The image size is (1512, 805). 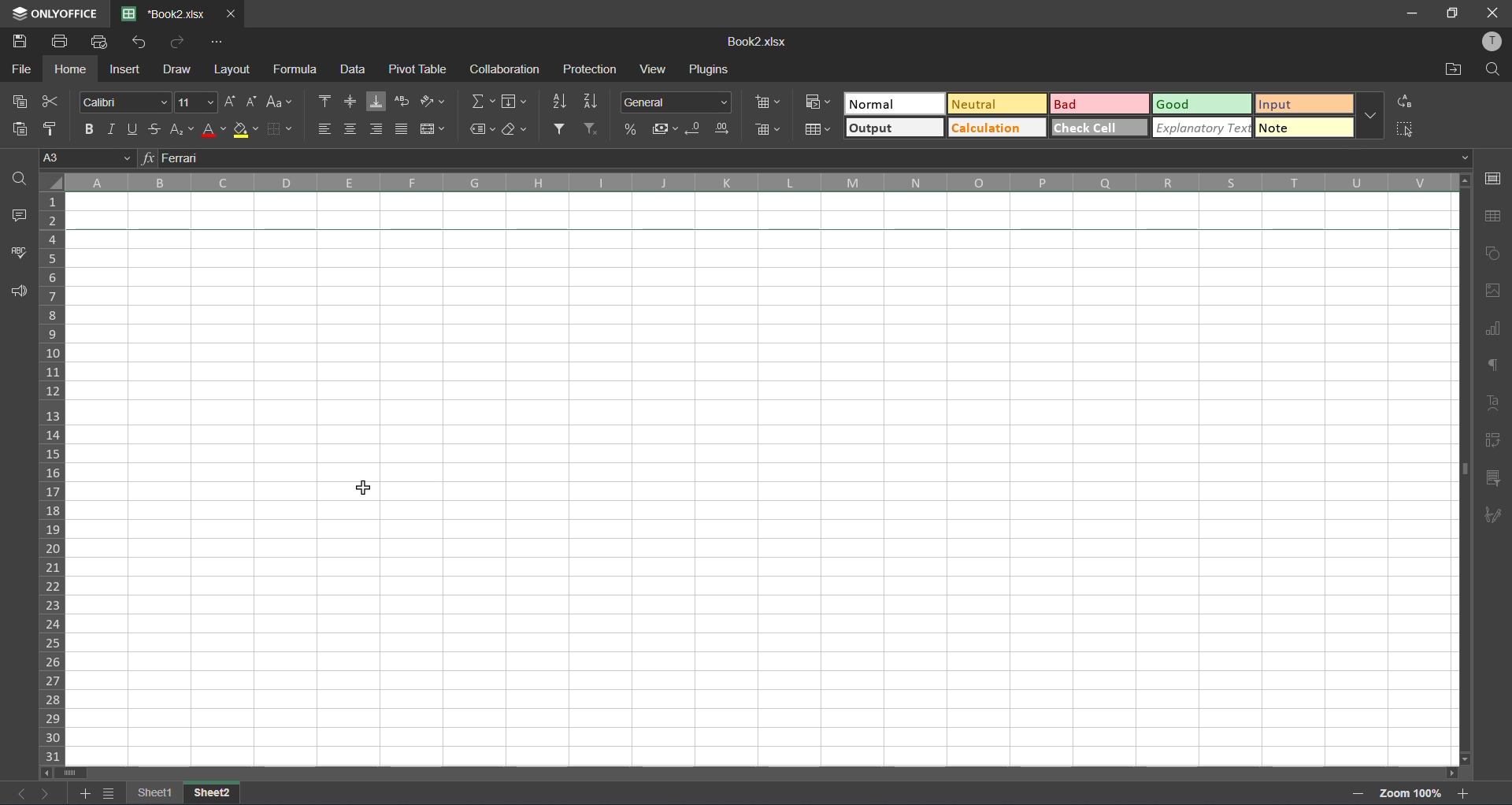 What do you see at coordinates (18, 103) in the screenshot?
I see `copy` at bounding box center [18, 103].